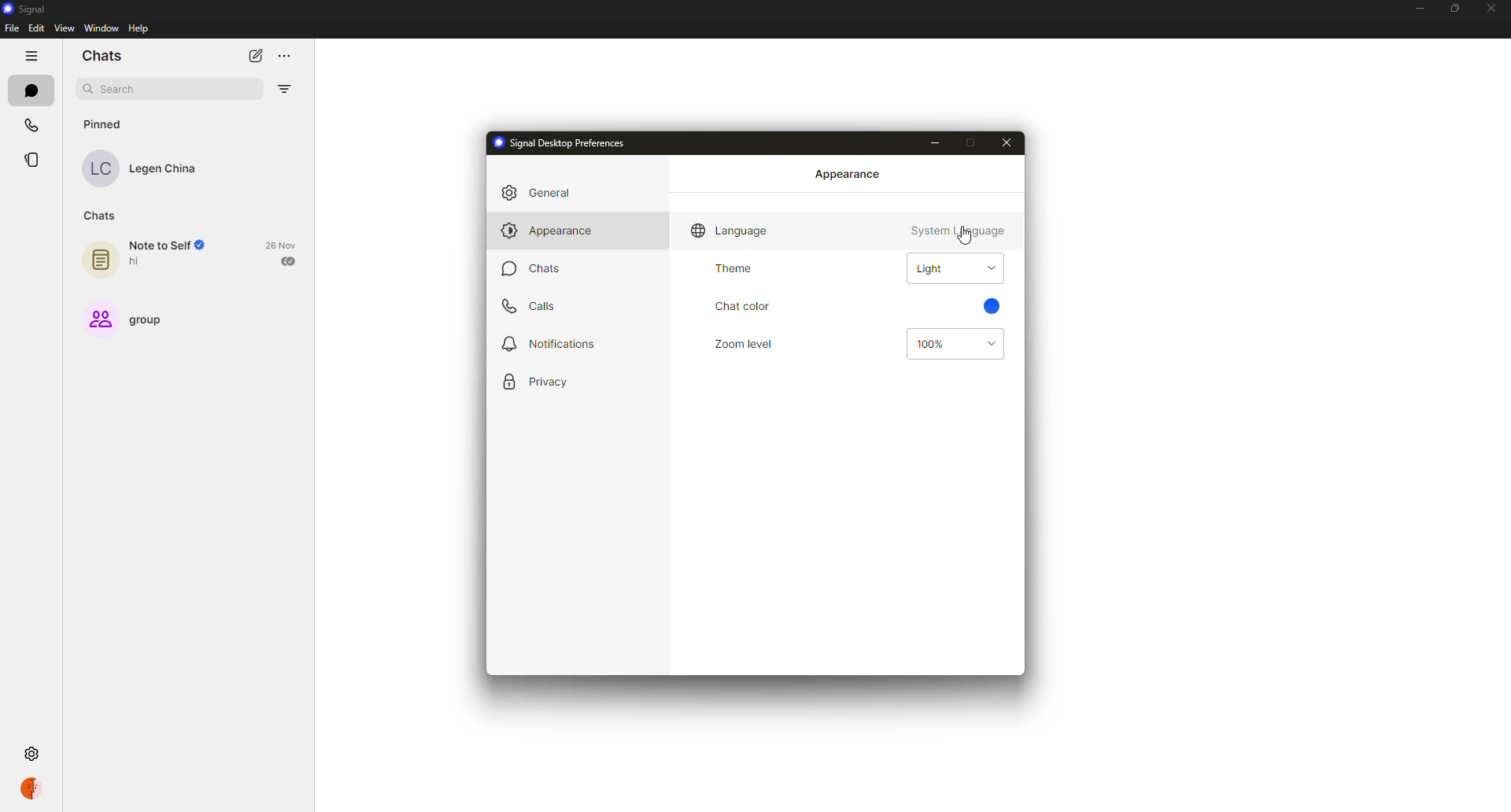 The image size is (1511, 812). Describe the element at coordinates (116, 90) in the screenshot. I see `search` at that location.